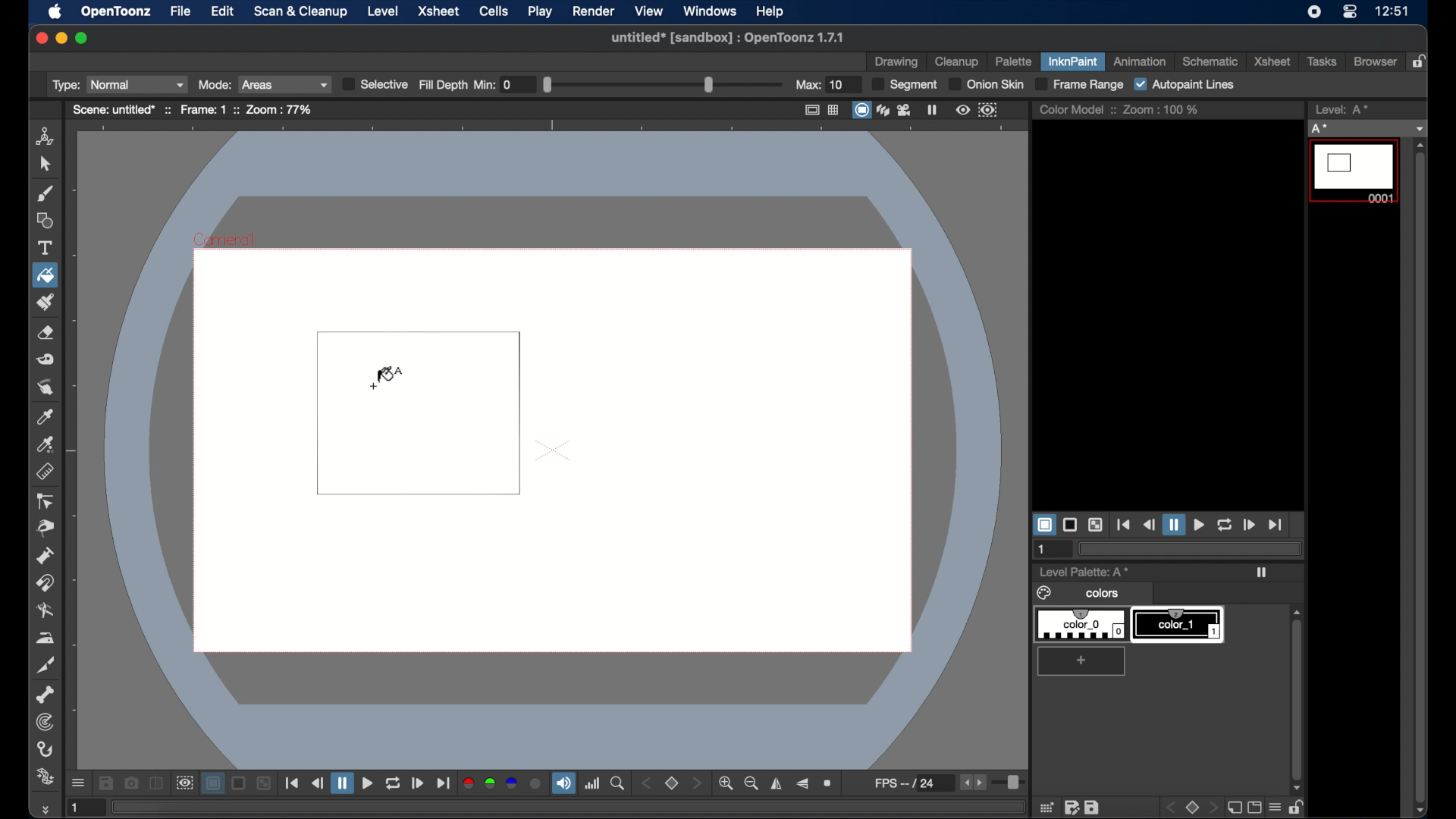  What do you see at coordinates (1072, 61) in the screenshot?
I see `inknpaint` at bounding box center [1072, 61].